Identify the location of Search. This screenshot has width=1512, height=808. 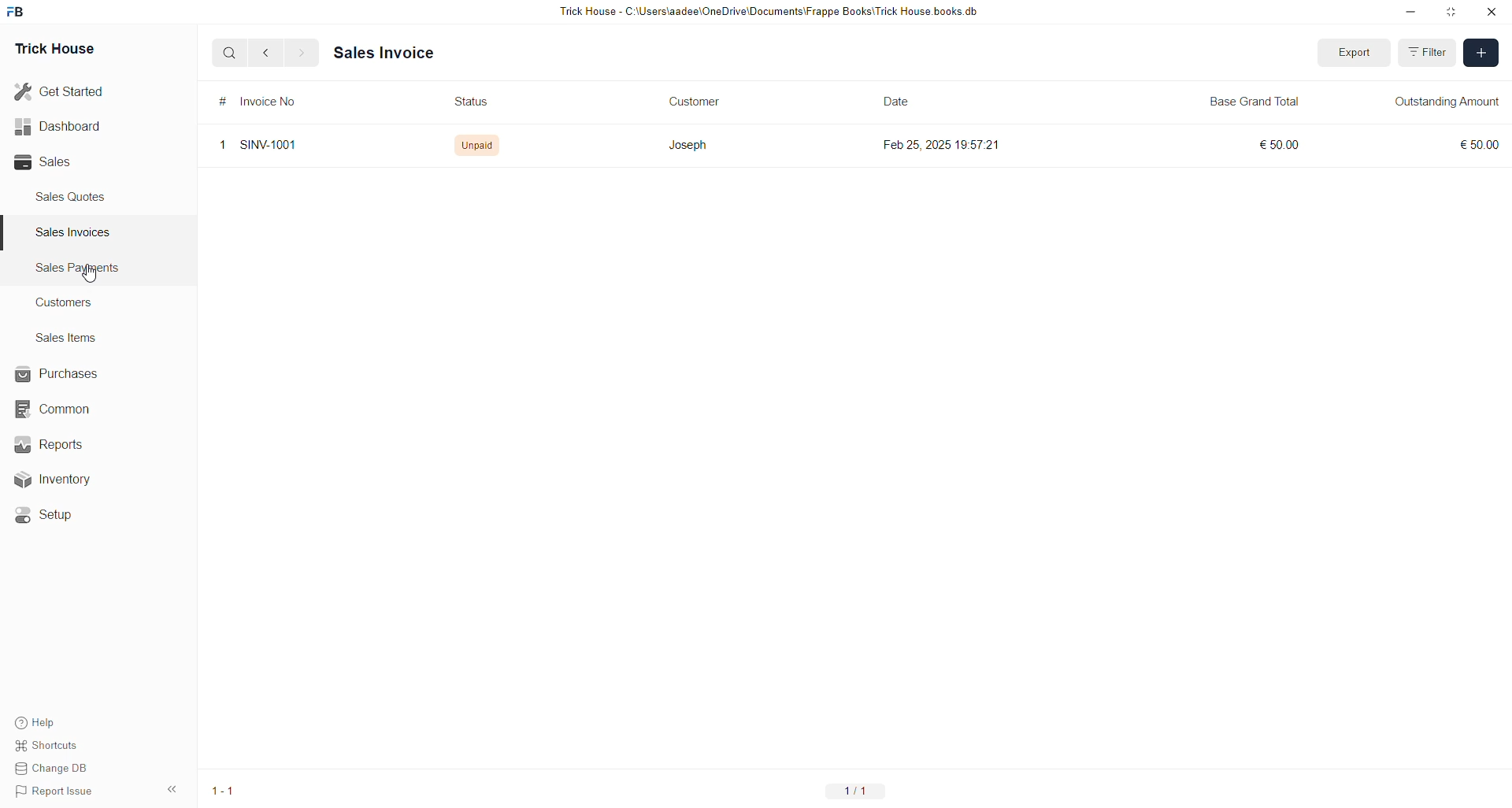
(229, 52).